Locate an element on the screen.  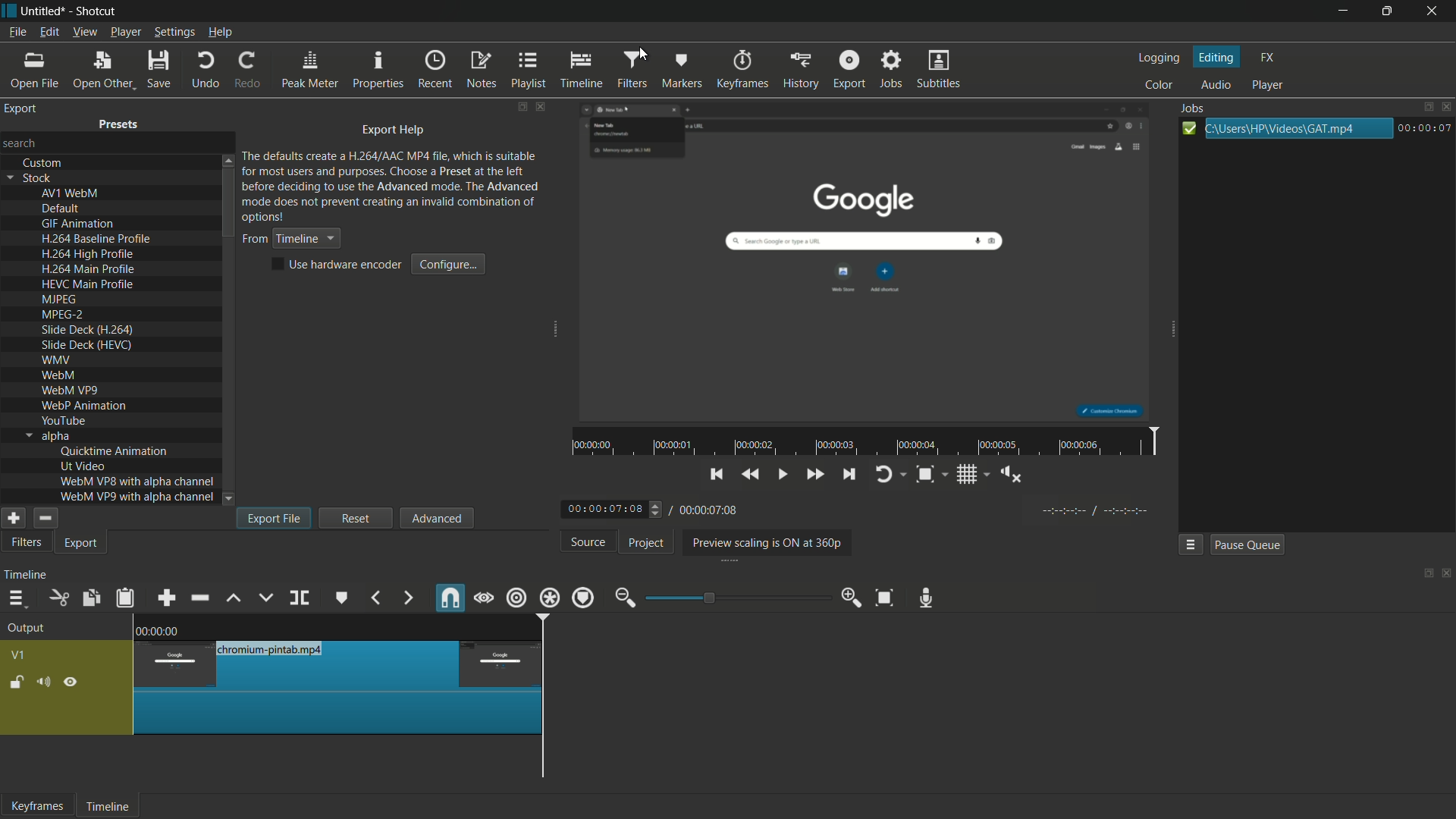
scroll bar is located at coordinates (679, 785).